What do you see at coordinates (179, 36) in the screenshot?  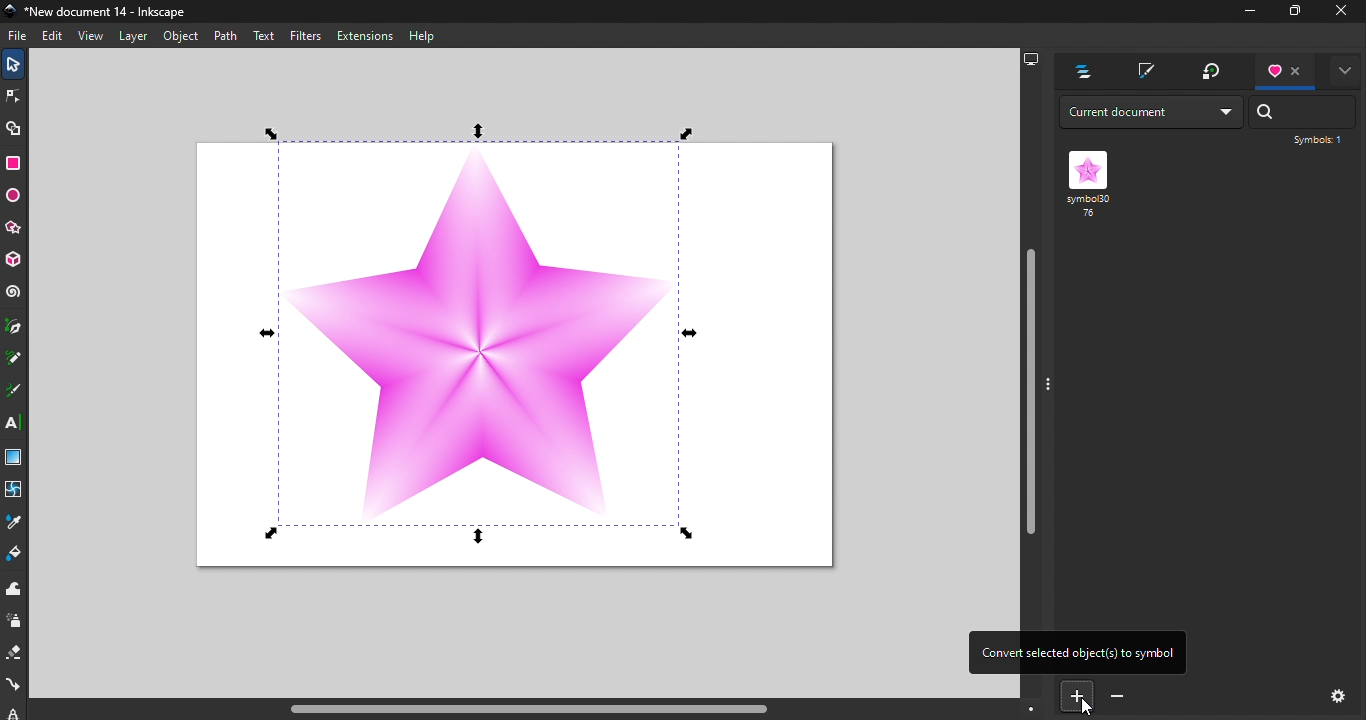 I see `Object` at bounding box center [179, 36].